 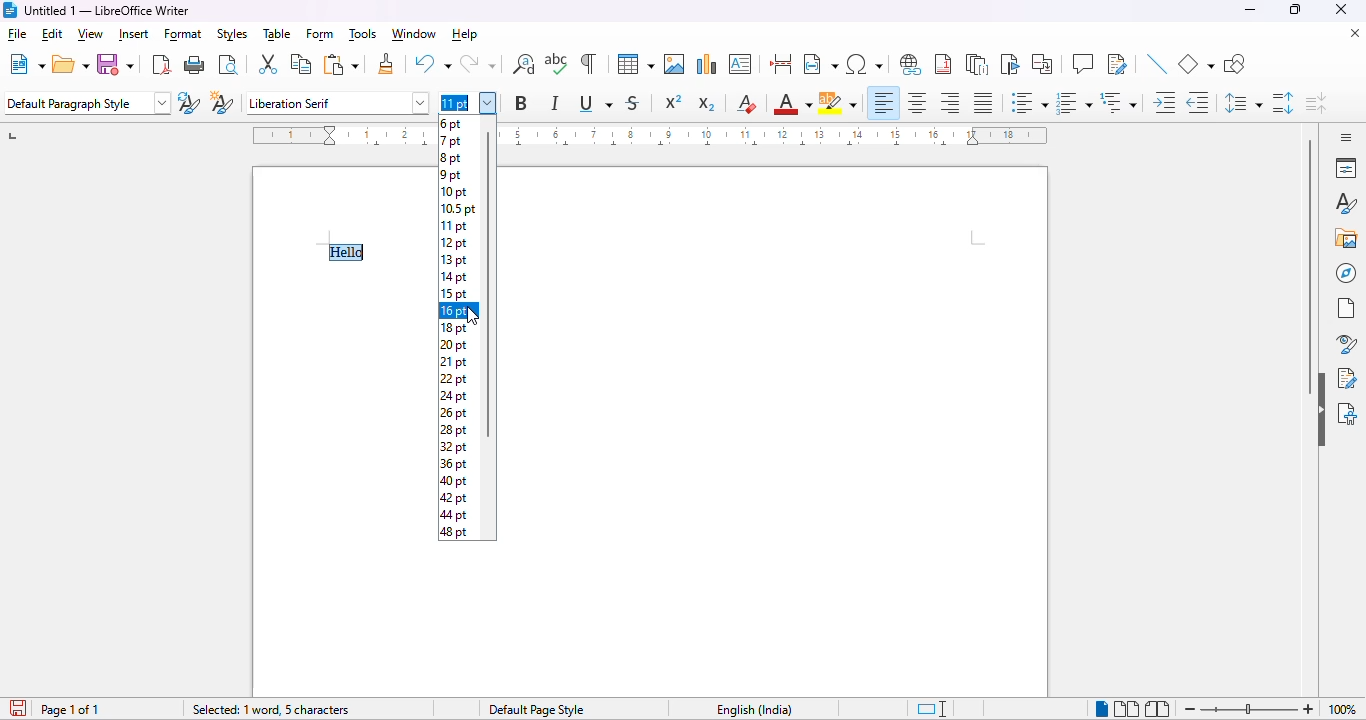 What do you see at coordinates (839, 104) in the screenshot?
I see `character highlighting color` at bounding box center [839, 104].